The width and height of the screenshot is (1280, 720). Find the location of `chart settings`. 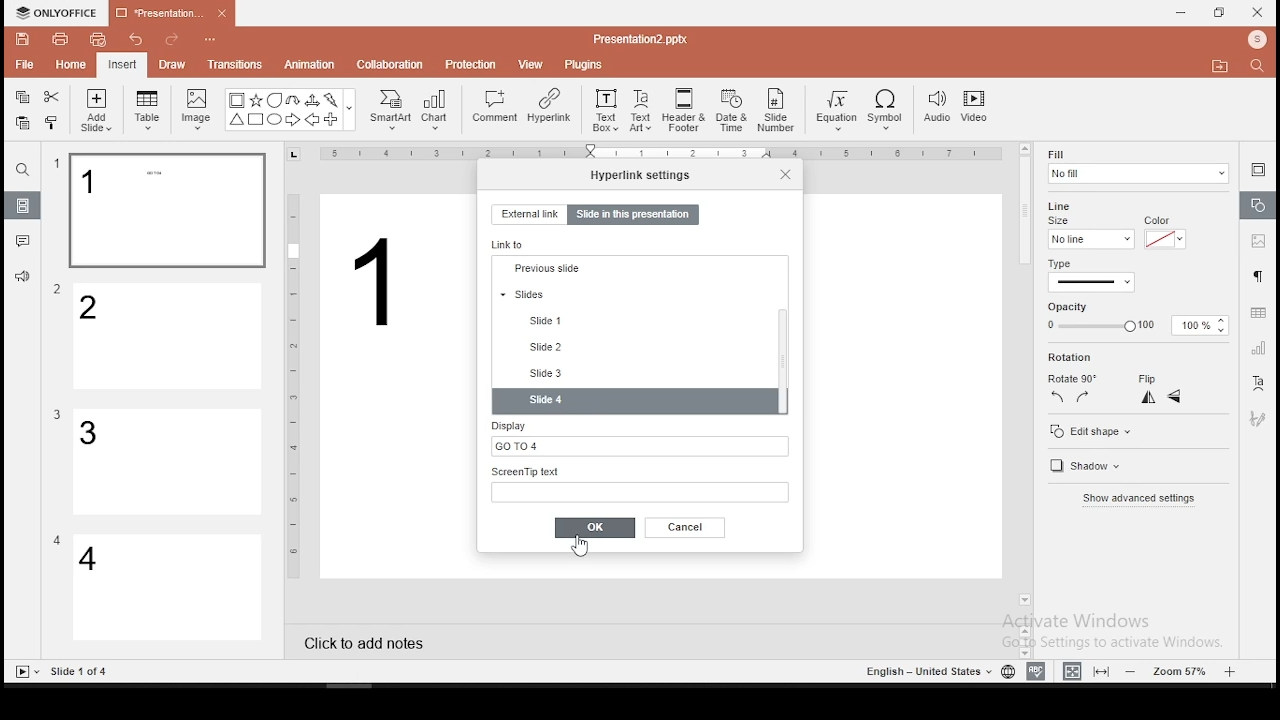

chart settings is located at coordinates (1257, 348).